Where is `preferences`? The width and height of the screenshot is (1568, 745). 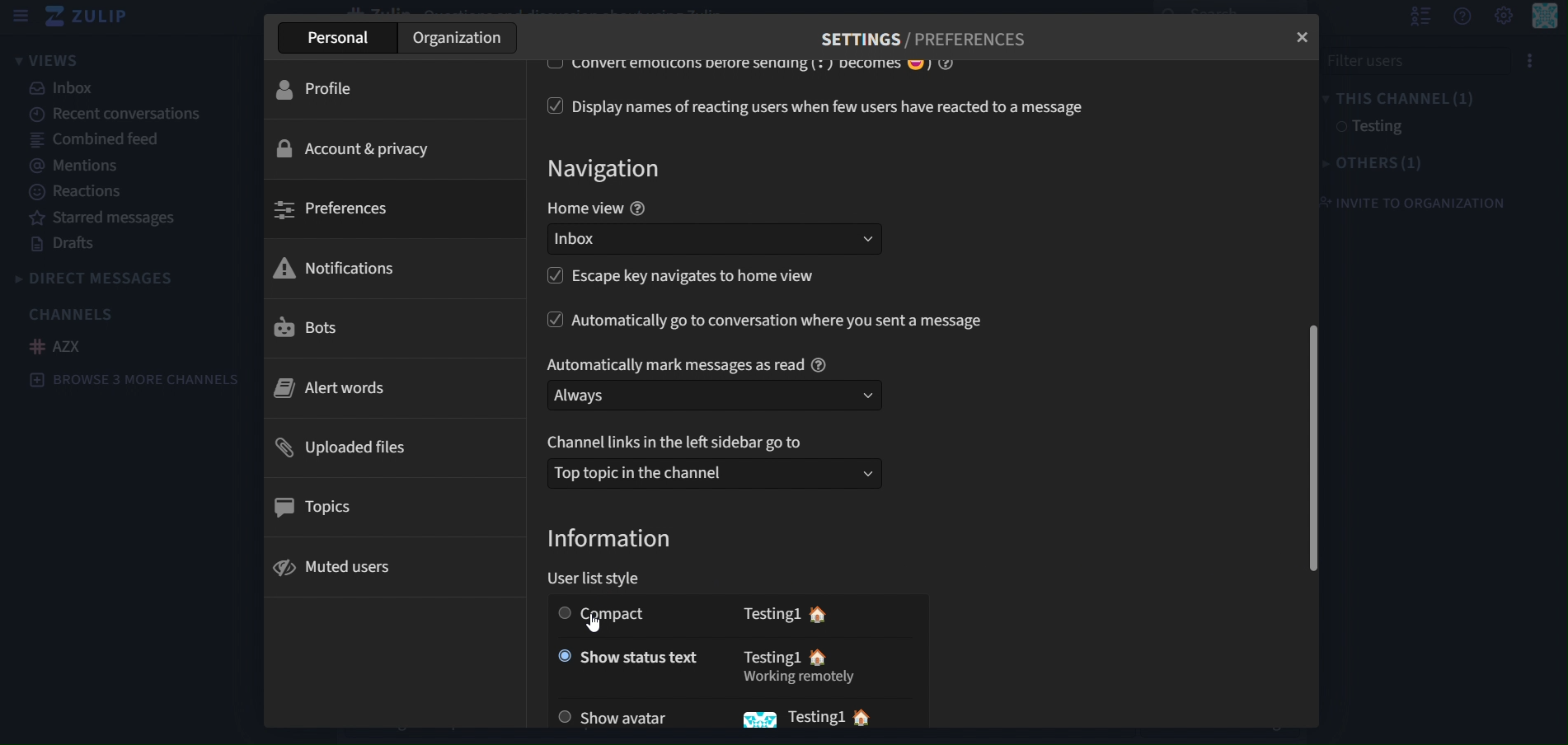
preferences is located at coordinates (336, 211).